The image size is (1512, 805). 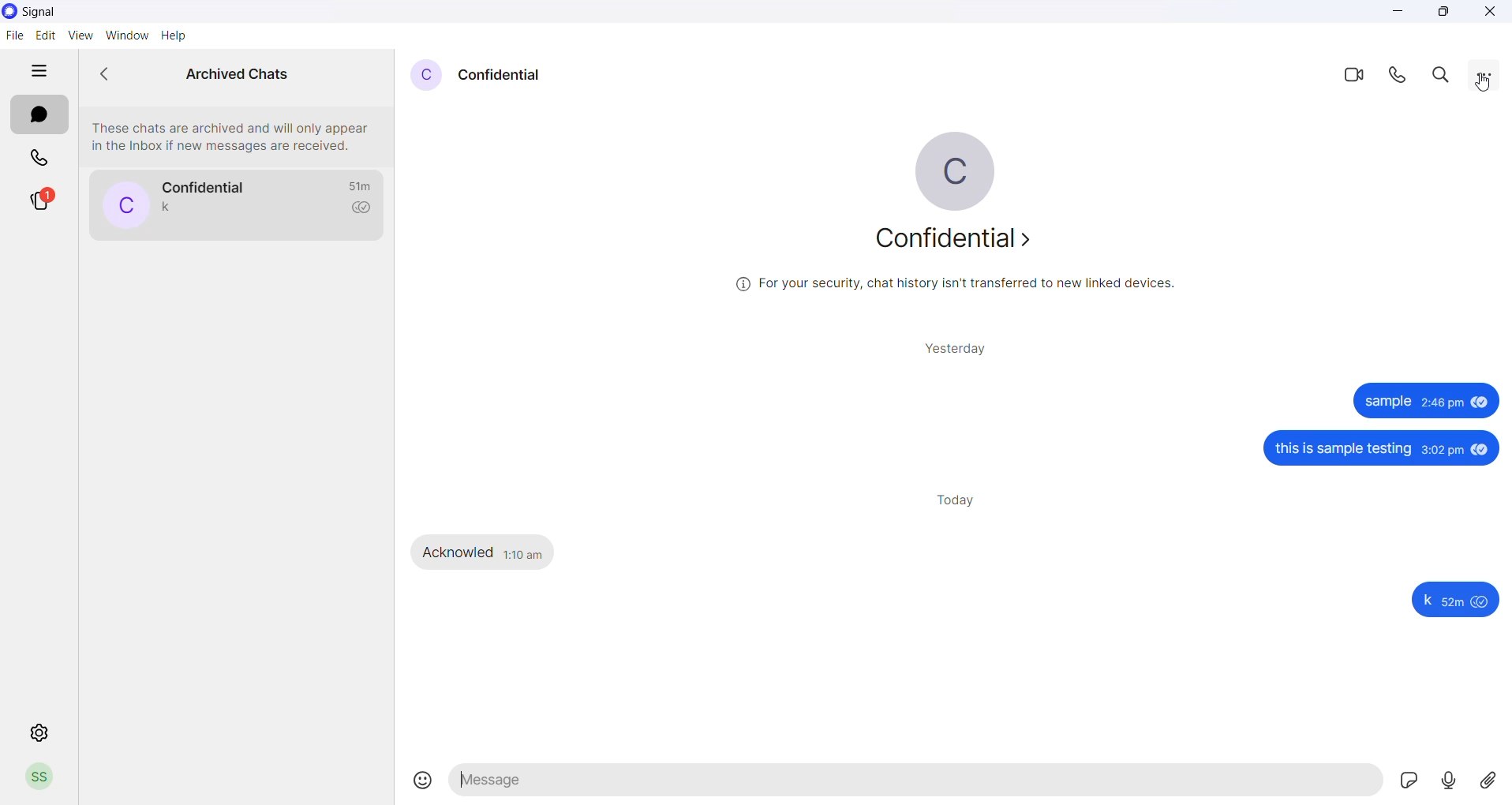 What do you see at coordinates (1448, 781) in the screenshot?
I see `voice note` at bounding box center [1448, 781].